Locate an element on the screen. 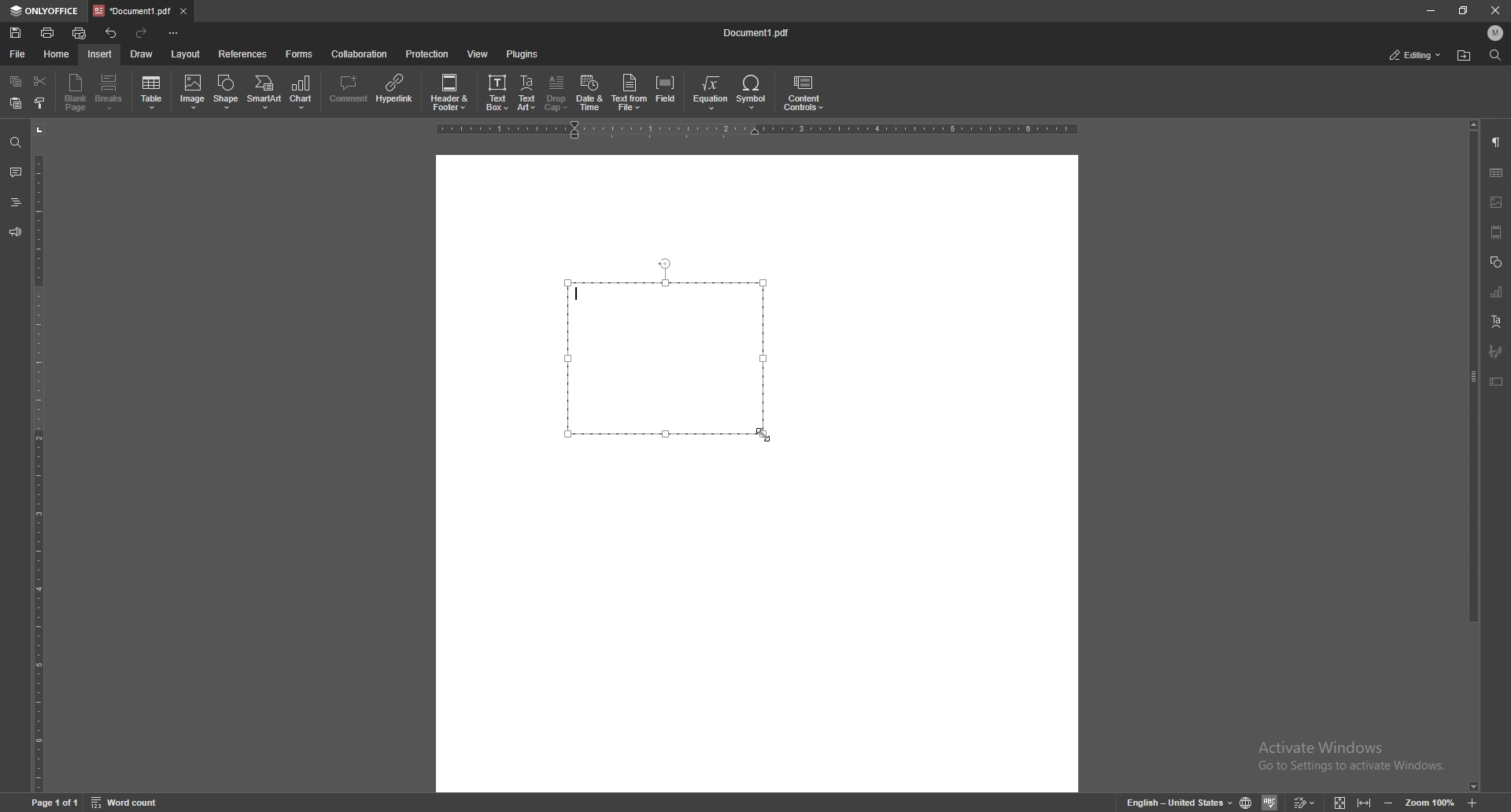 The image size is (1511, 812). close tab is located at coordinates (183, 10).